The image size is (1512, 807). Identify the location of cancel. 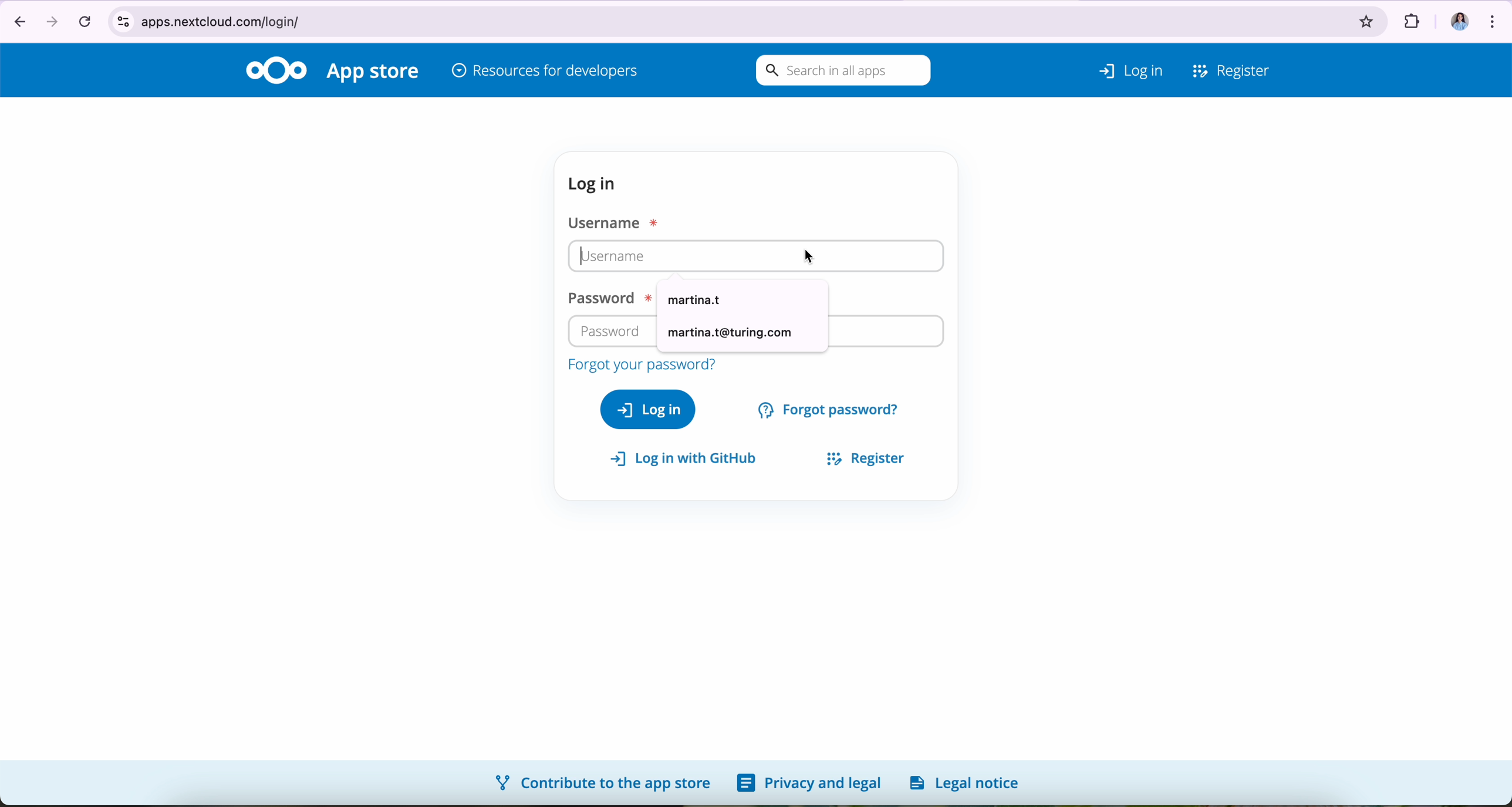
(84, 21).